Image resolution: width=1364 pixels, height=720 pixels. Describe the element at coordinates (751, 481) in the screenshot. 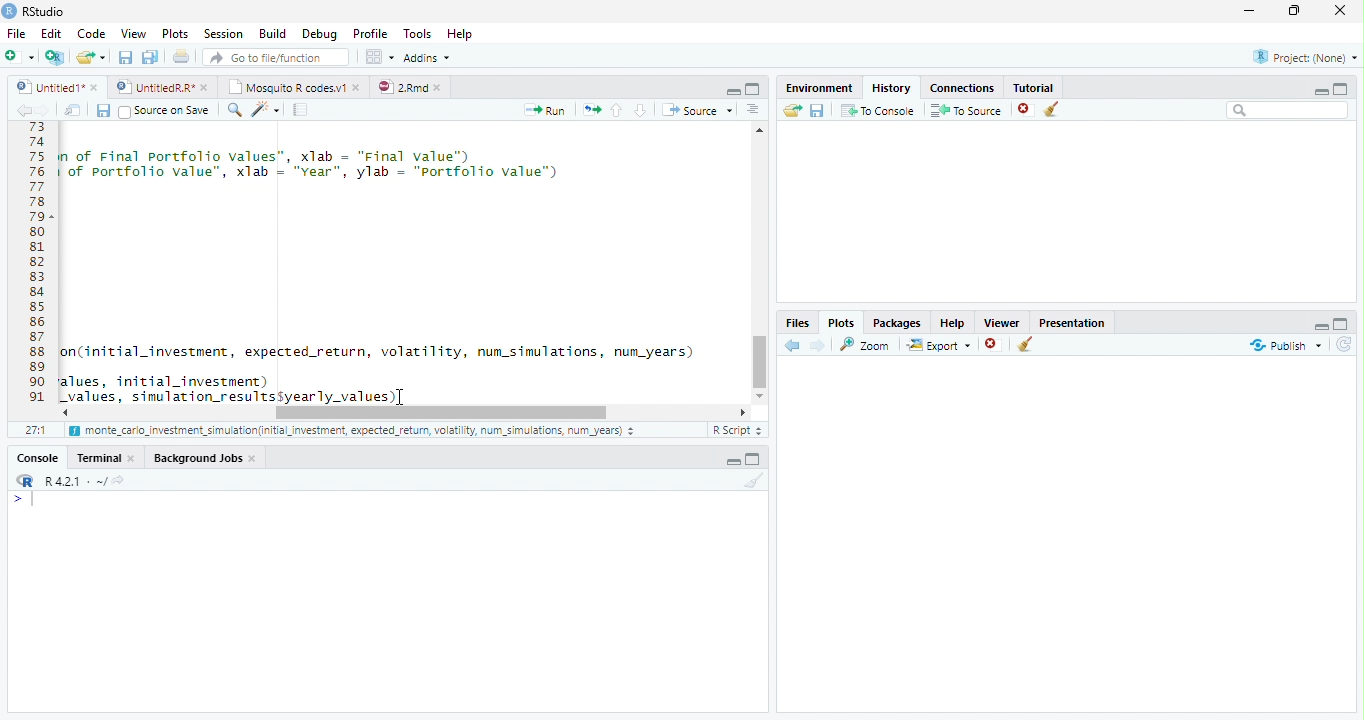

I see `Clear` at that location.